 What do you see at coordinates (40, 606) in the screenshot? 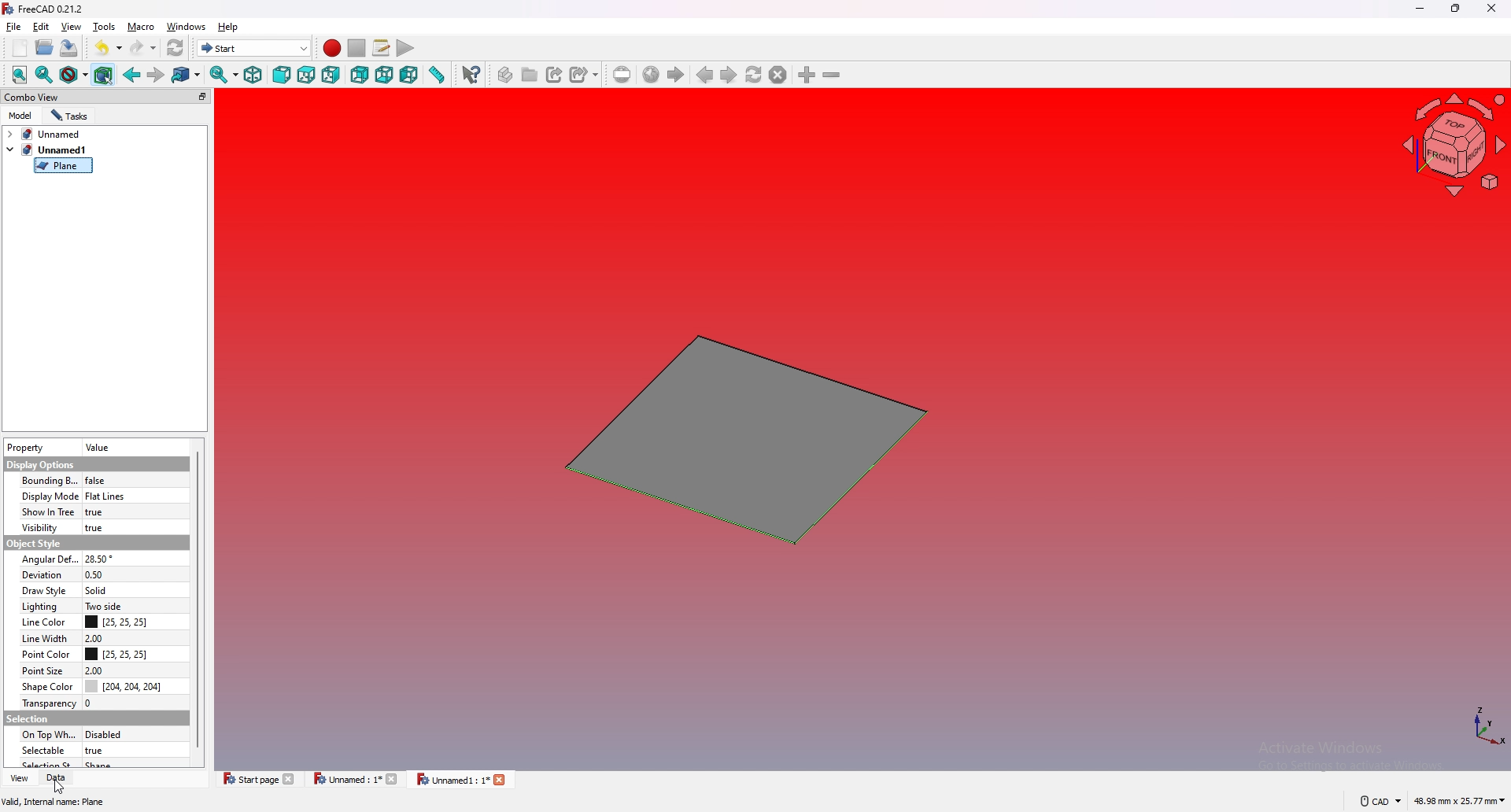
I see `lighting` at bounding box center [40, 606].